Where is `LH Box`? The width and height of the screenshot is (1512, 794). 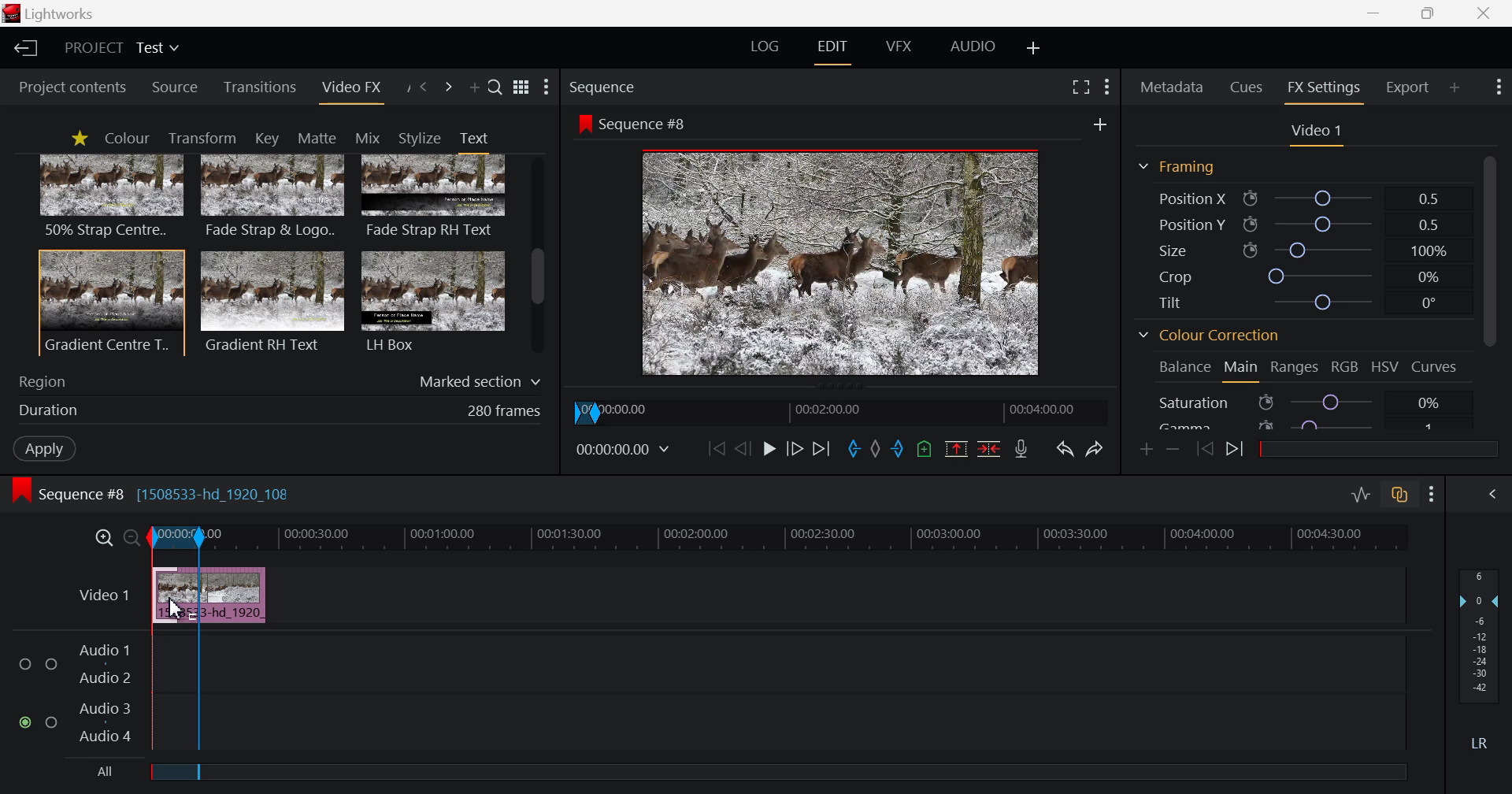
LH Box is located at coordinates (432, 301).